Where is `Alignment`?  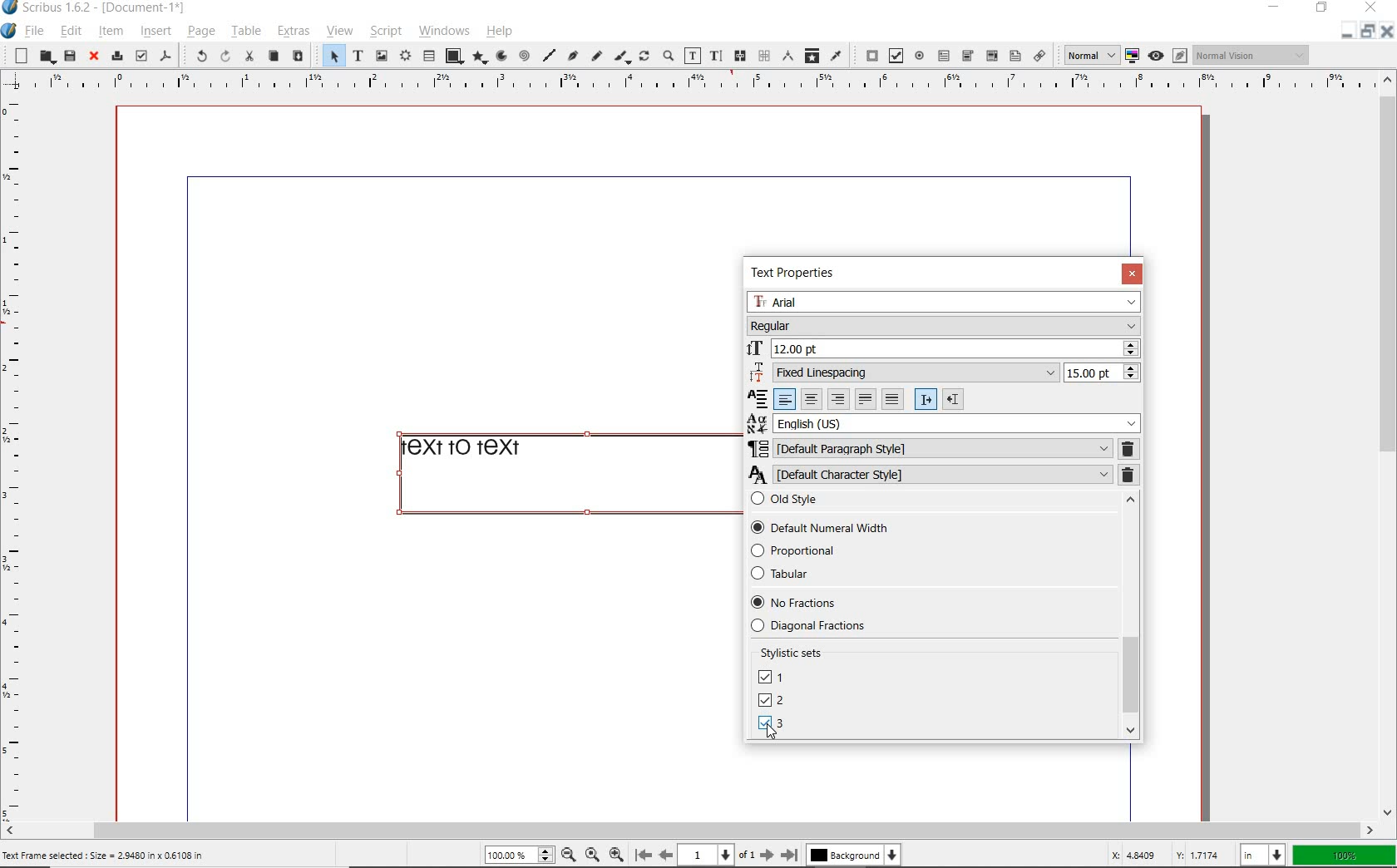 Alignment is located at coordinates (760, 400).